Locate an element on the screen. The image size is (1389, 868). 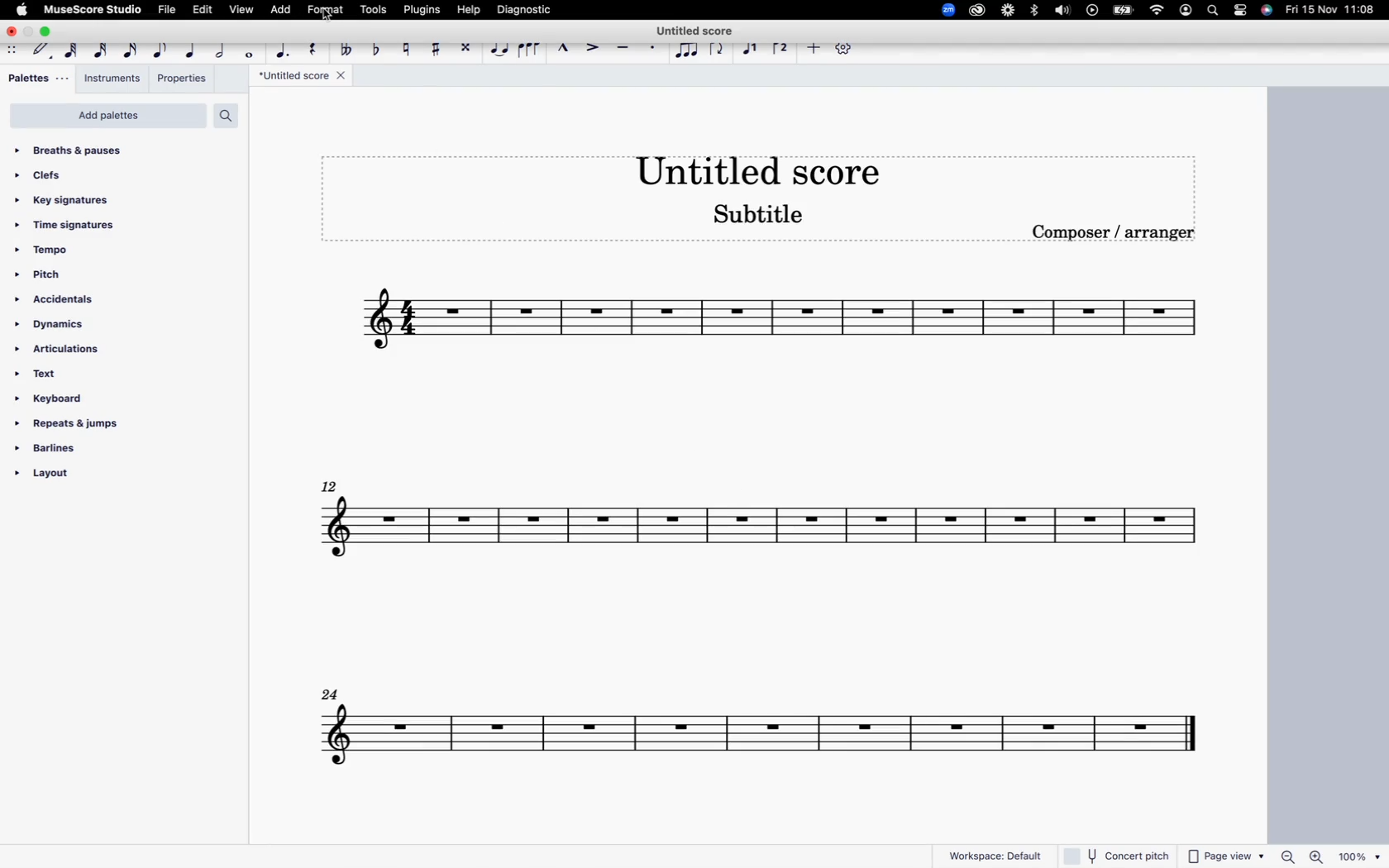
rest is located at coordinates (312, 49).